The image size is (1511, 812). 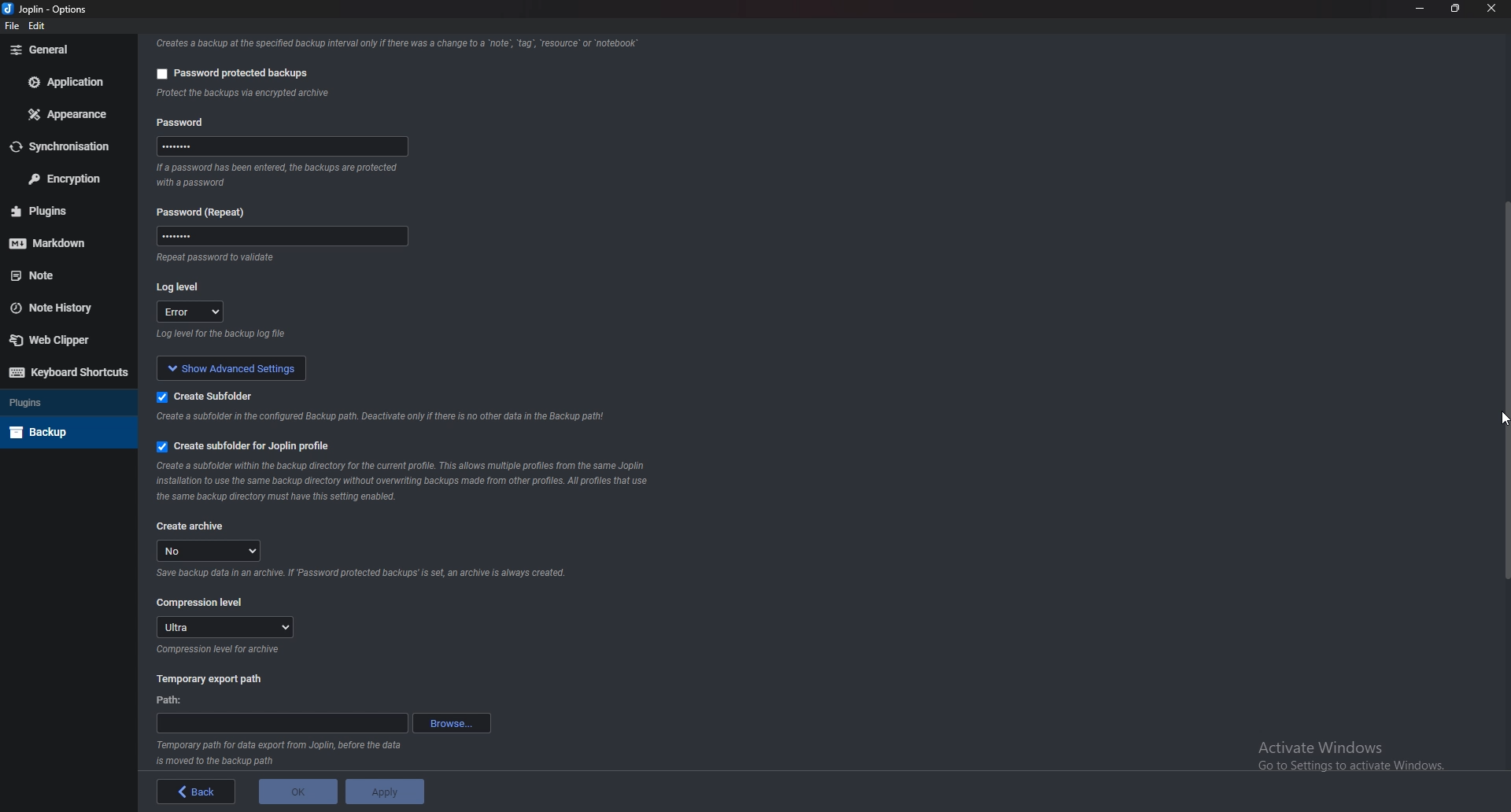 What do you see at coordinates (184, 120) in the screenshot?
I see `password` at bounding box center [184, 120].